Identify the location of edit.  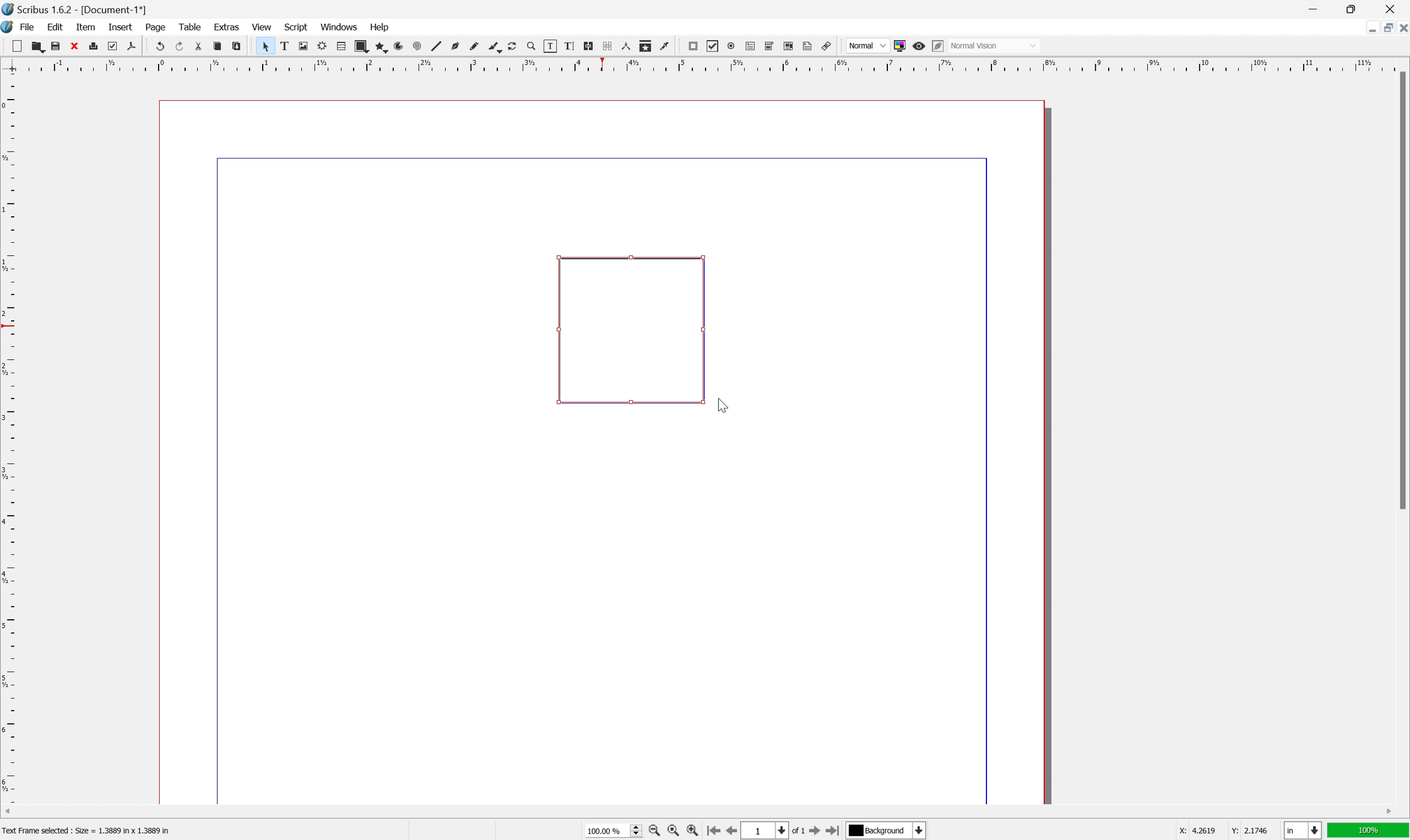
(55, 27).